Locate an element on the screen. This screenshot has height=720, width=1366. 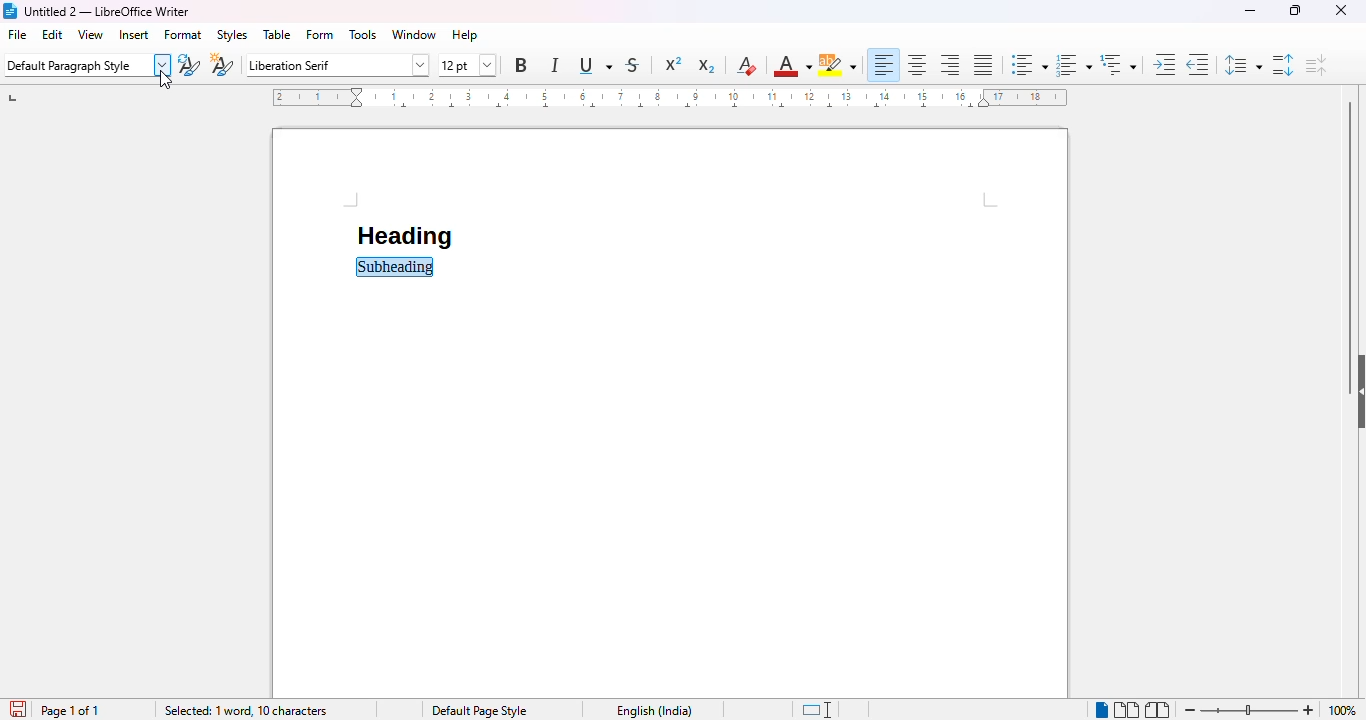
justified is located at coordinates (983, 64).